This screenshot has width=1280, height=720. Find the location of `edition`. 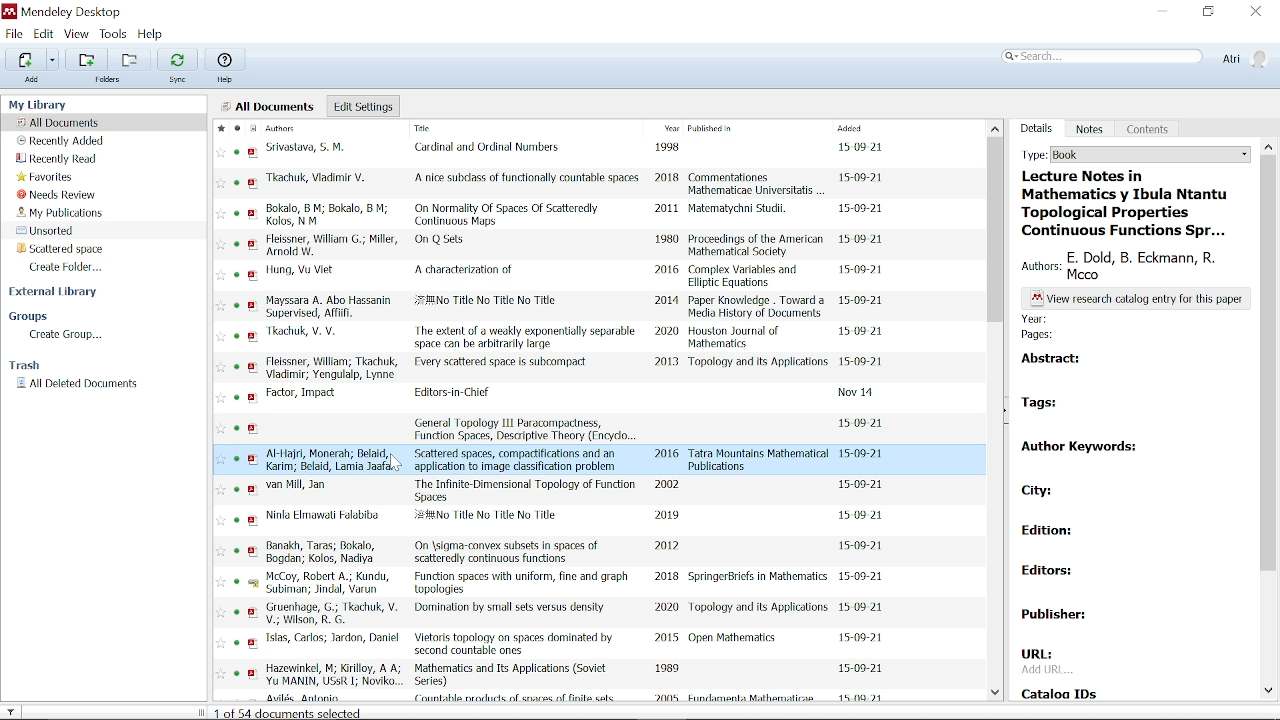

edition is located at coordinates (1058, 533).